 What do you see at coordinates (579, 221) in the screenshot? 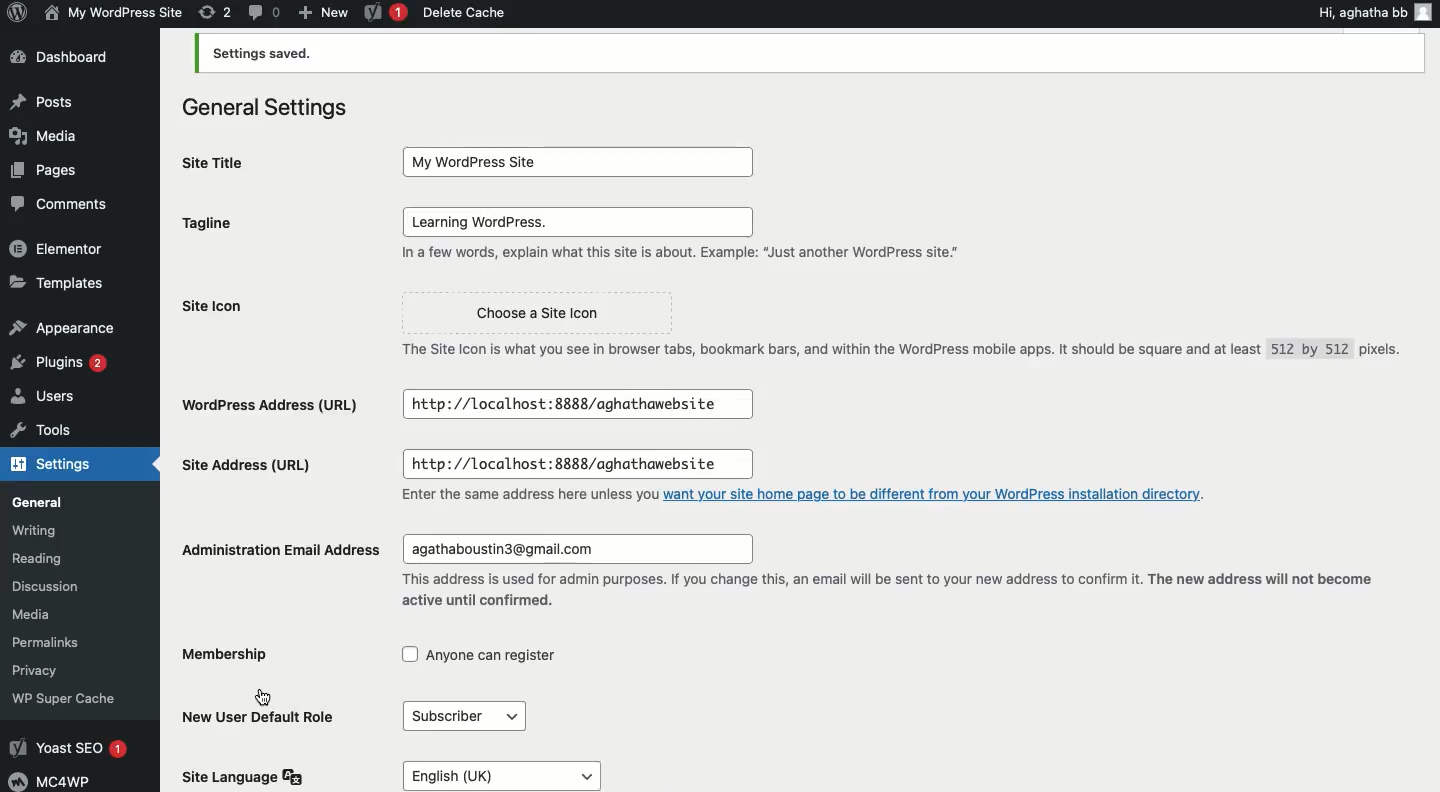
I see `Learning wordpress.` at bounding box center [579, 221].